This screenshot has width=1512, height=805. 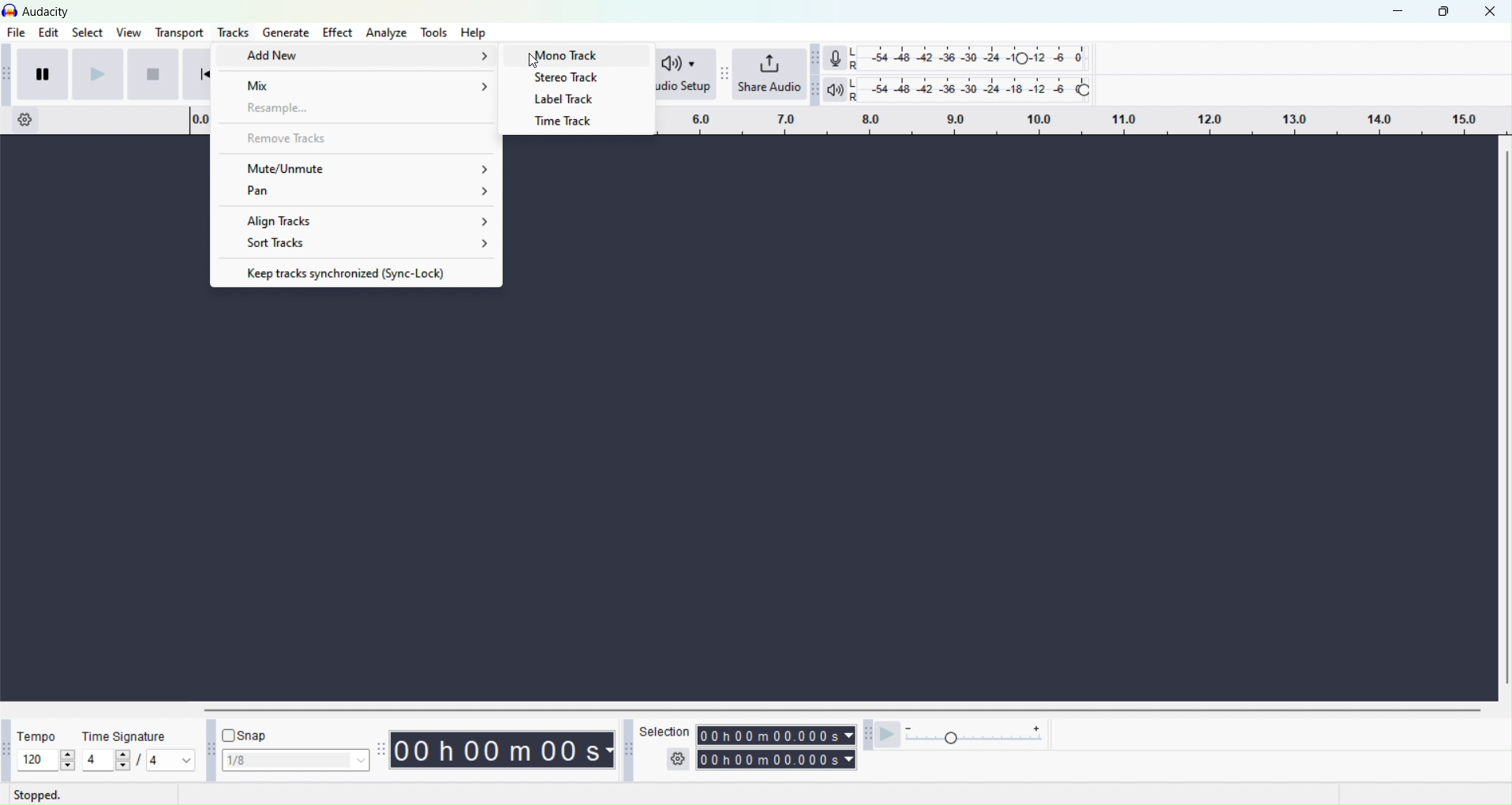 What do you see at coordinates (358, 82) in the screenshot?
I see `Mix` at bounding box center [358, 82].